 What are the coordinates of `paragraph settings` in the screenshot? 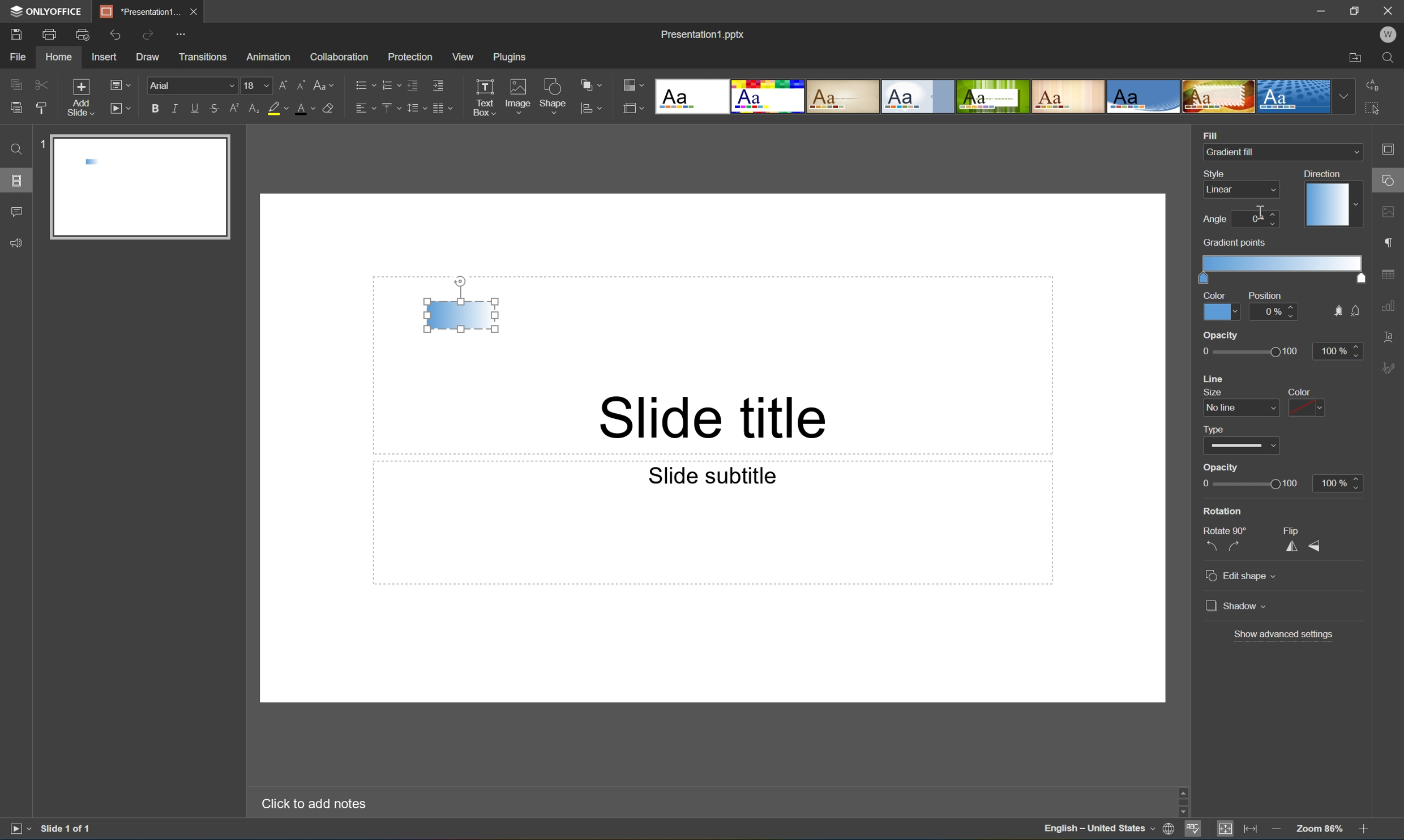 It's located at (1391, 241).